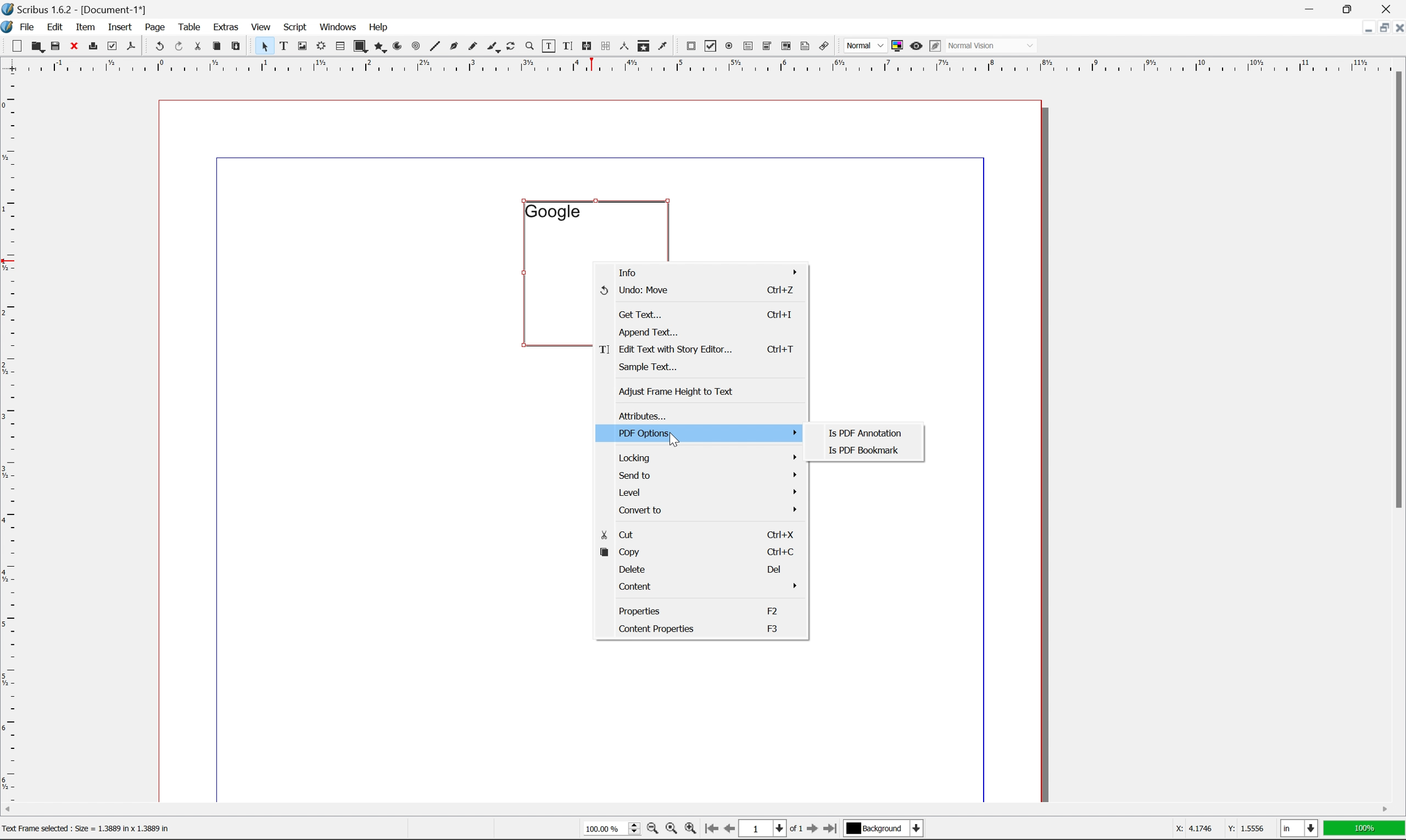 This screenshot has height=840, width=1406. Describe the element at coordinates (642, 314) in the screenshot. I see `get text...` at that location.